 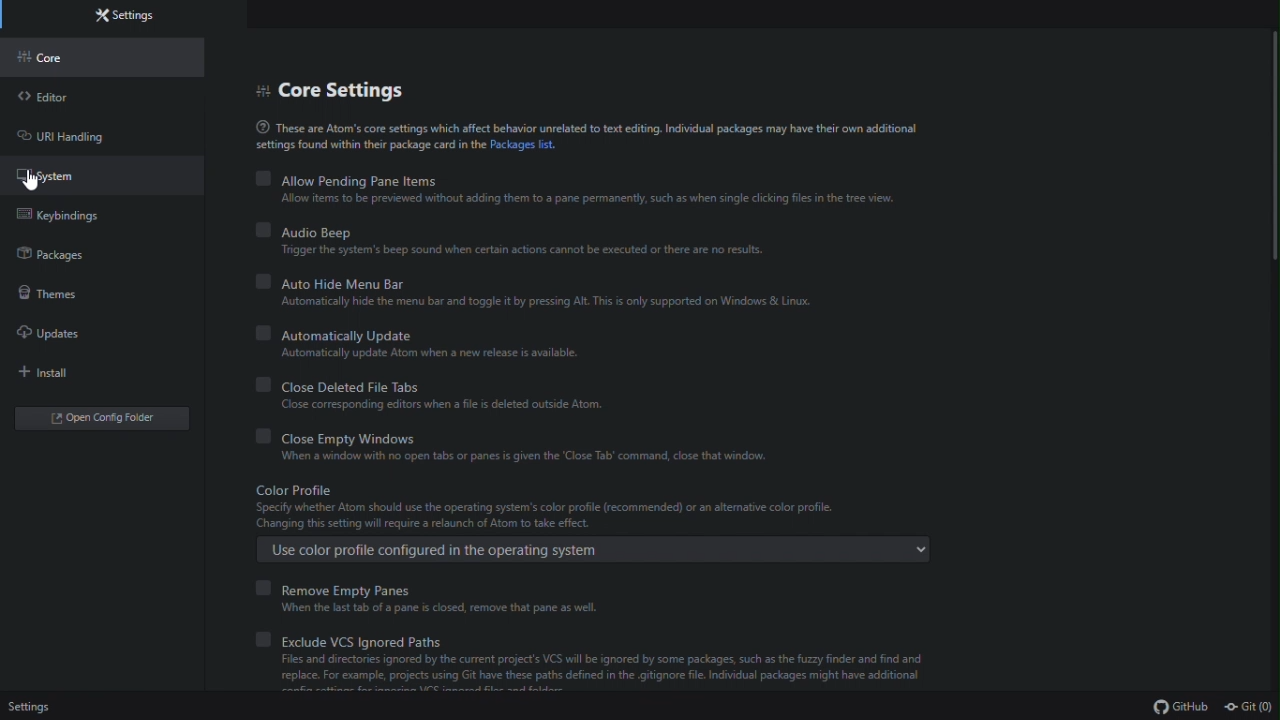 What do you see at coordinates (613, 672) in the screenshot?
I see `Files and directories ignored by the current project's VICS will be ignored by some packages, such as the fuzzy finder and find and
replace. For example, projects using Git have these paths defined in the gitignore fle. Individual packages might have additional` at bounding box center [613, 672].